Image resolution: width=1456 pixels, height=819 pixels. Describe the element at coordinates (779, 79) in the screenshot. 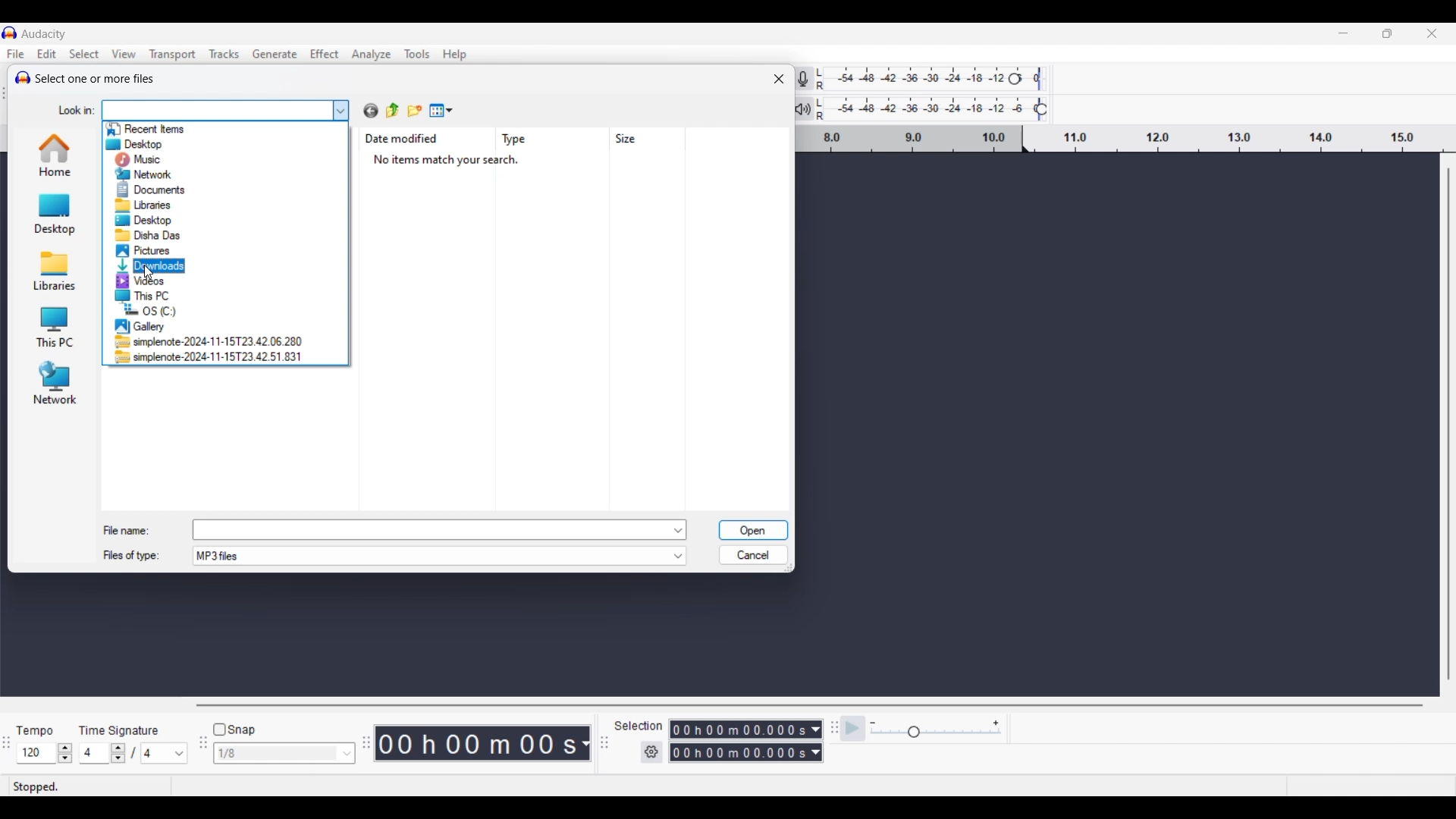

I see `Close window` at that location.